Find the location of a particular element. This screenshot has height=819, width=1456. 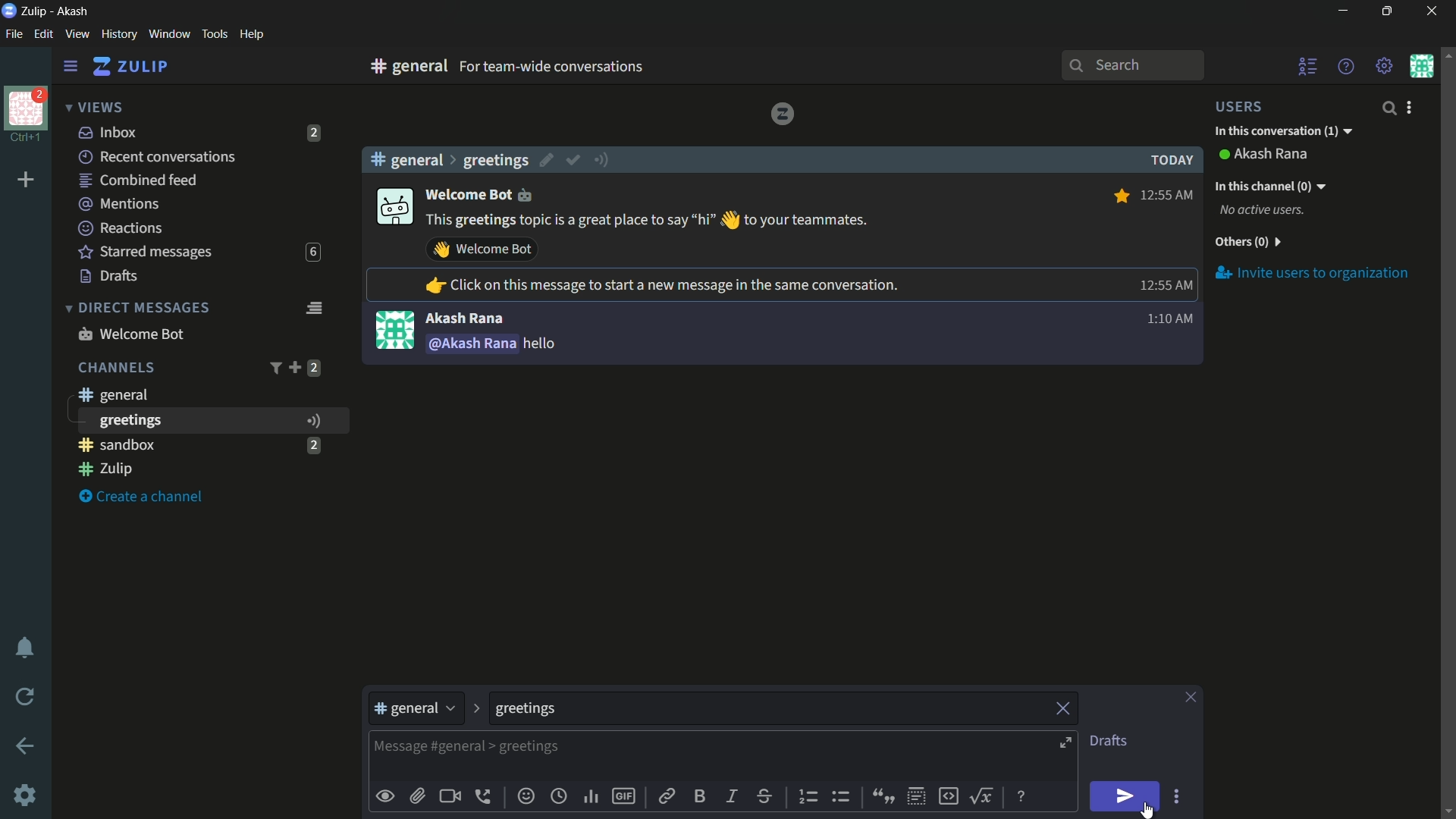

minimize is located at coordinates (1342, 11).